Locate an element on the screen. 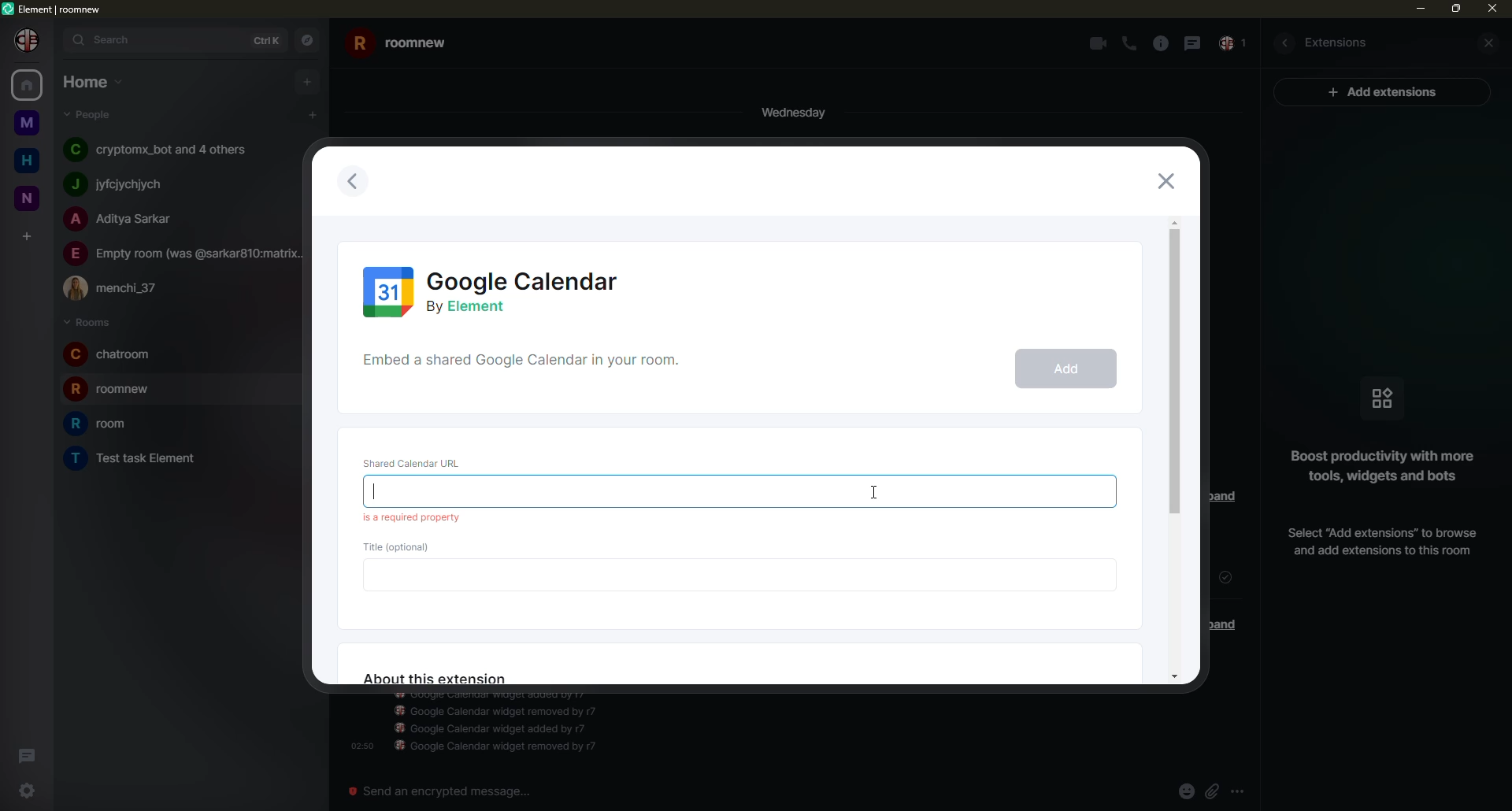 This screenshot has height=811, width=1512. people is located at coordinates (161, 150).